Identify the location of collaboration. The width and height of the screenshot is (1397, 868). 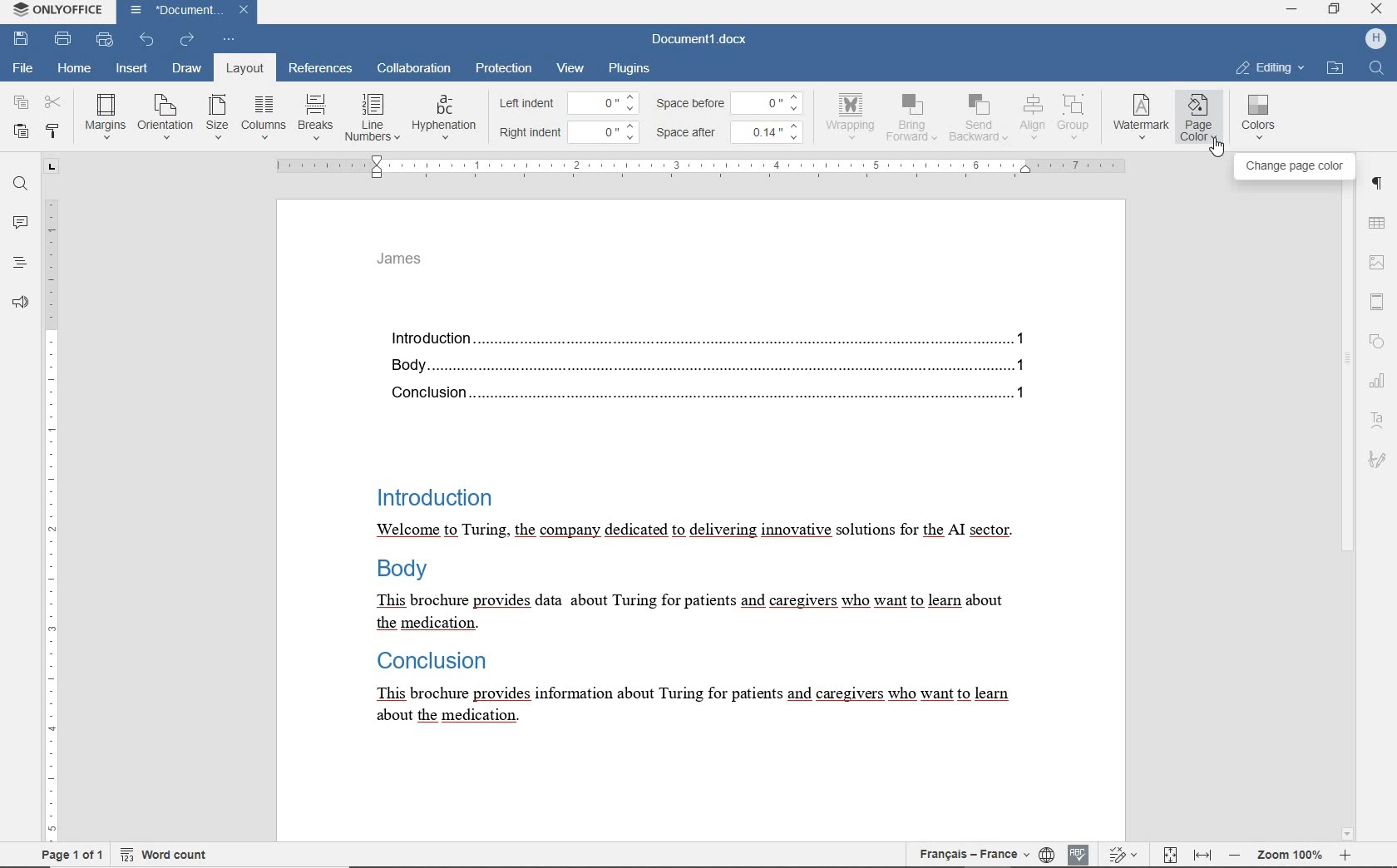
(415, 70).